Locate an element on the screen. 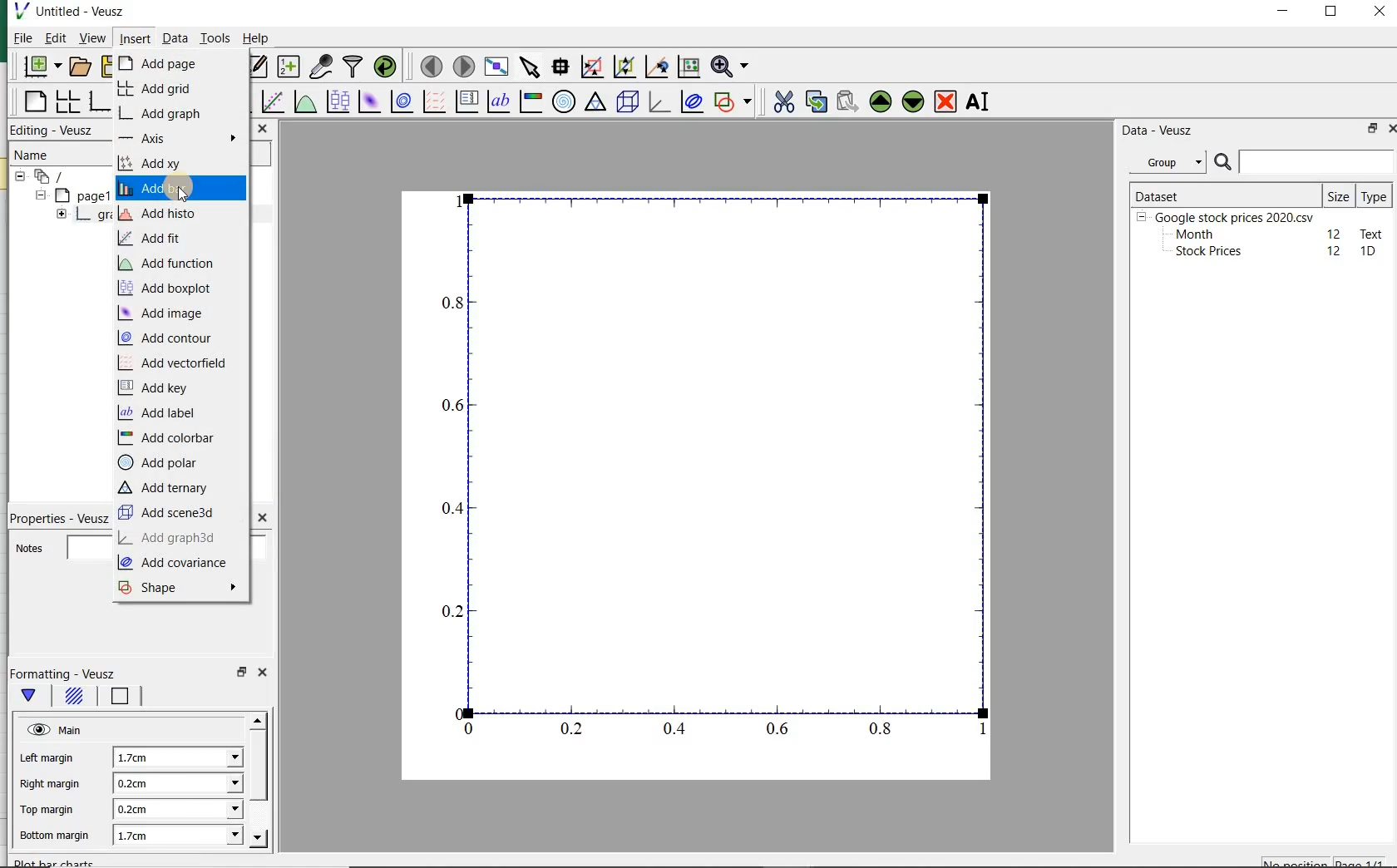 This screenshot has width=1397, height=868. scrollbar is located at coordinates (259, 780).